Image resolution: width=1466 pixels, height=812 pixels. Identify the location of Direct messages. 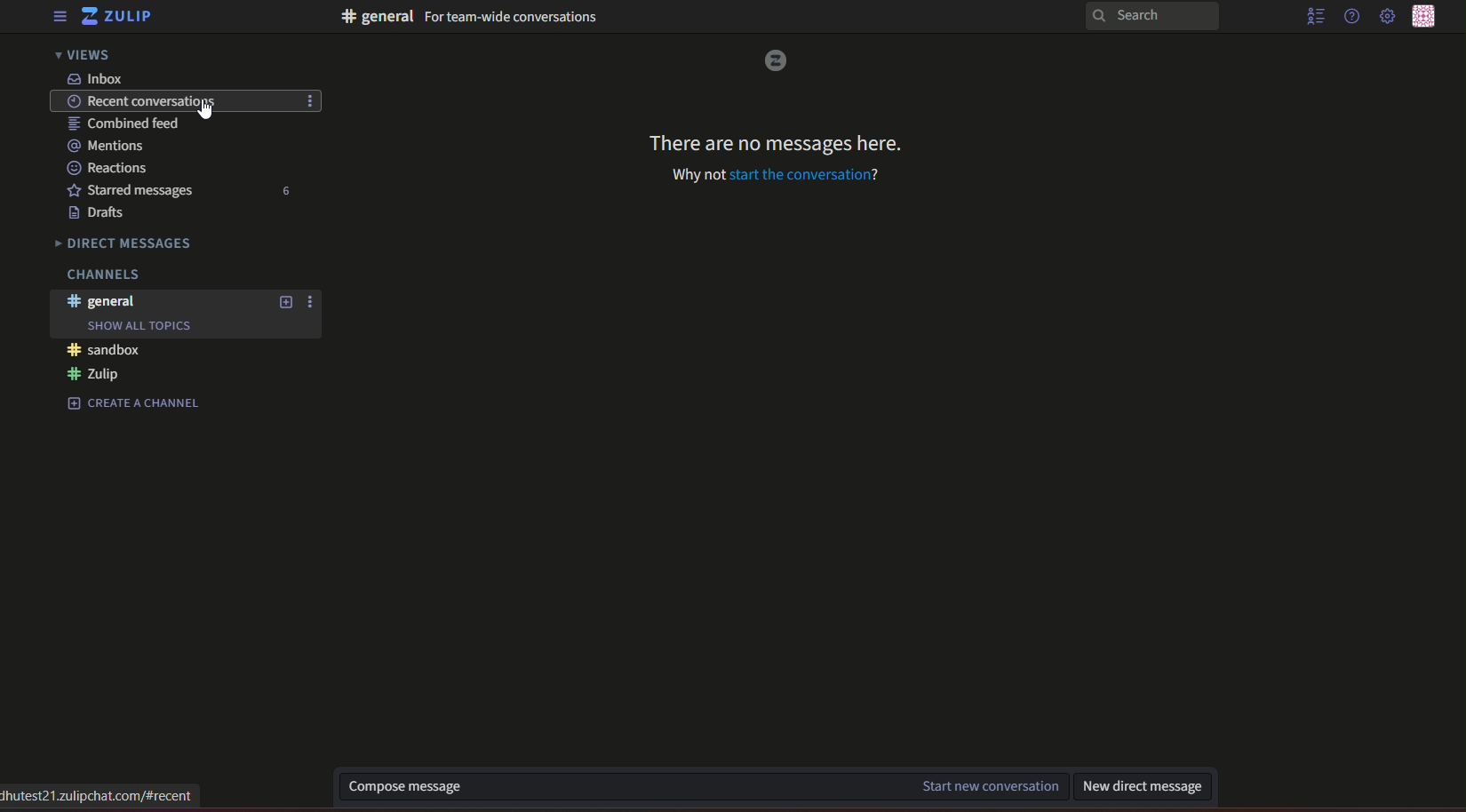
(127, 242).